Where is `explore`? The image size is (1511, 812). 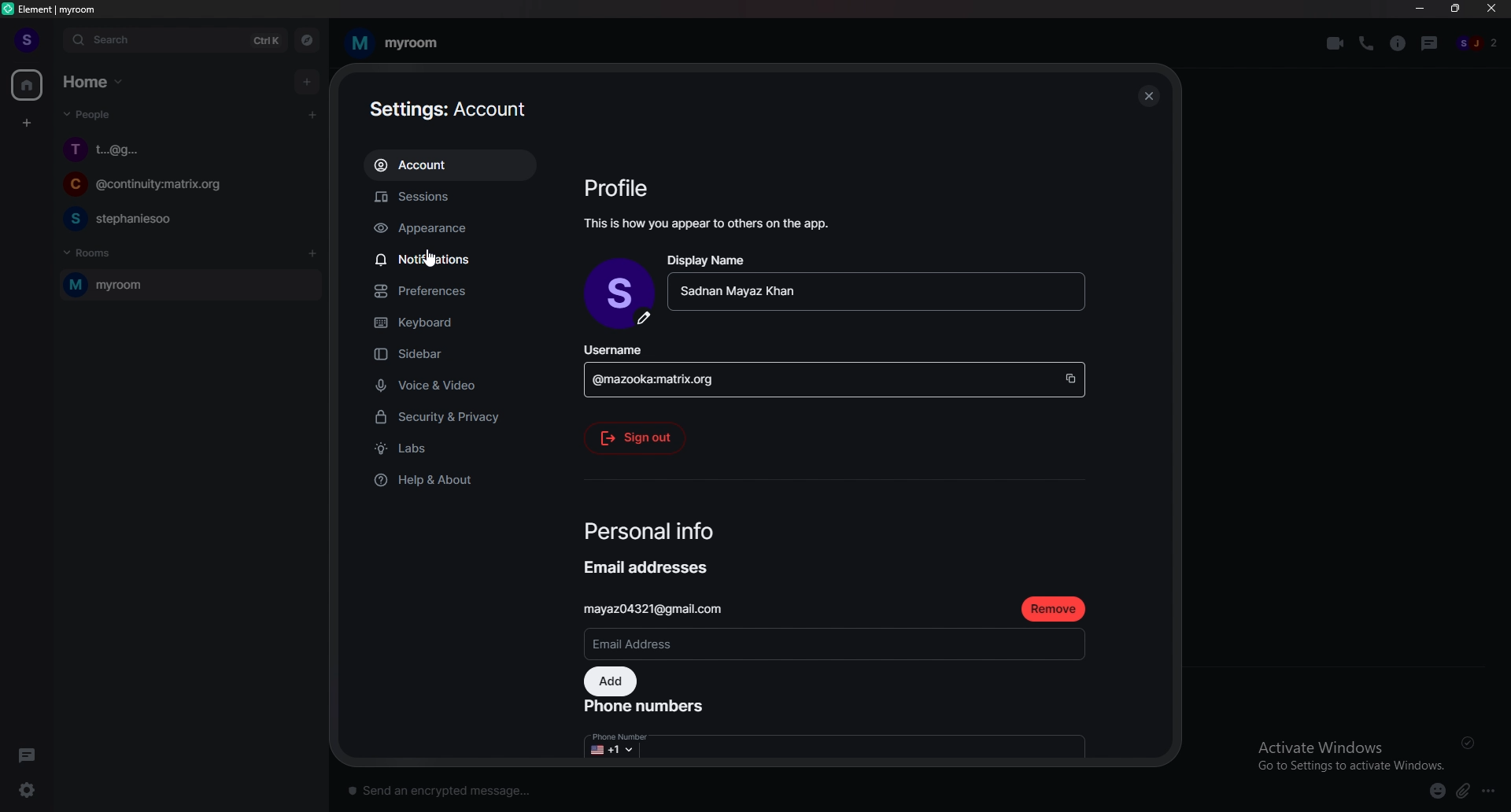
explore is located at coordinates (307, 39).